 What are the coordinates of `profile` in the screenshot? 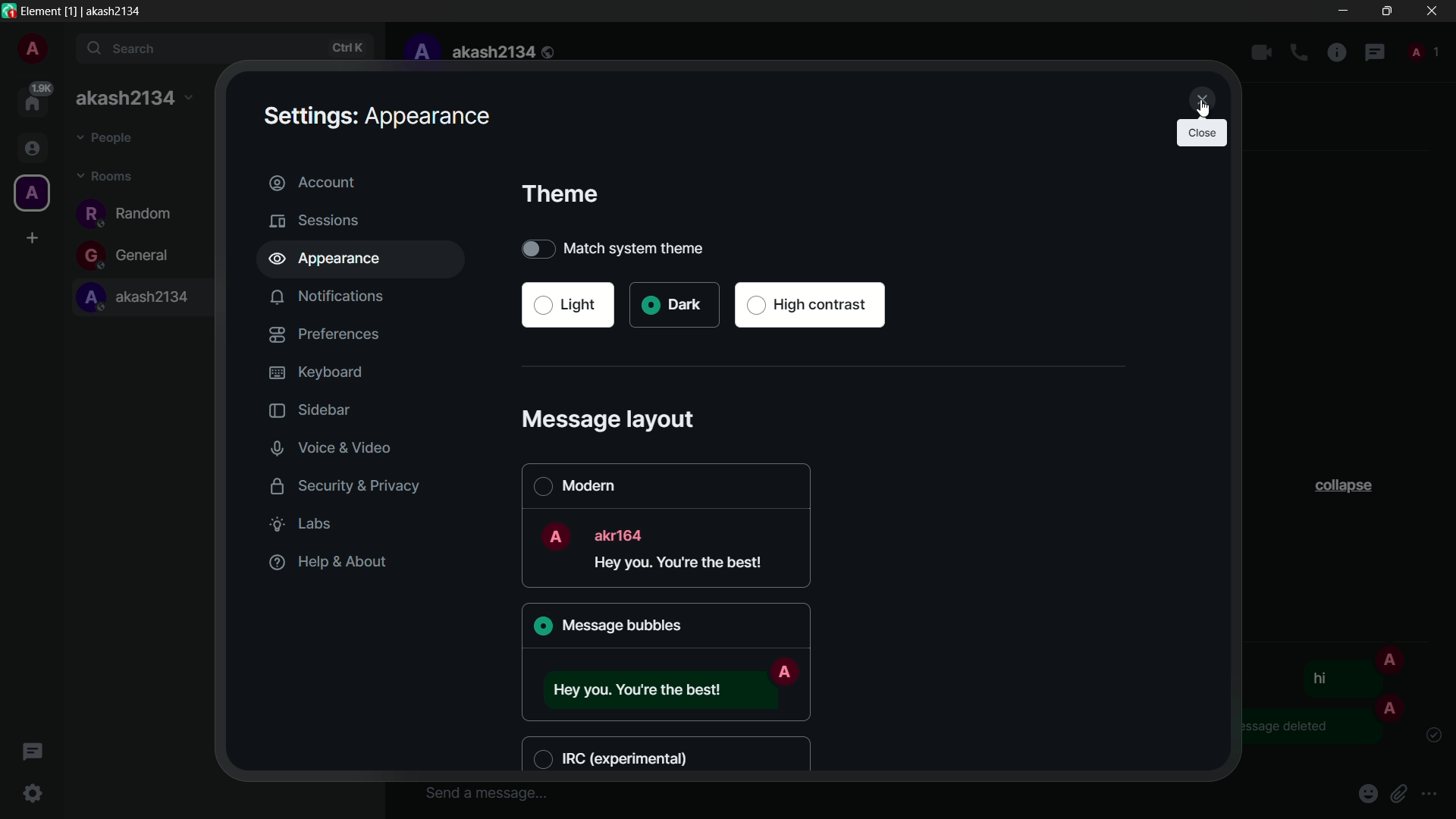 It's located at (32, 51).